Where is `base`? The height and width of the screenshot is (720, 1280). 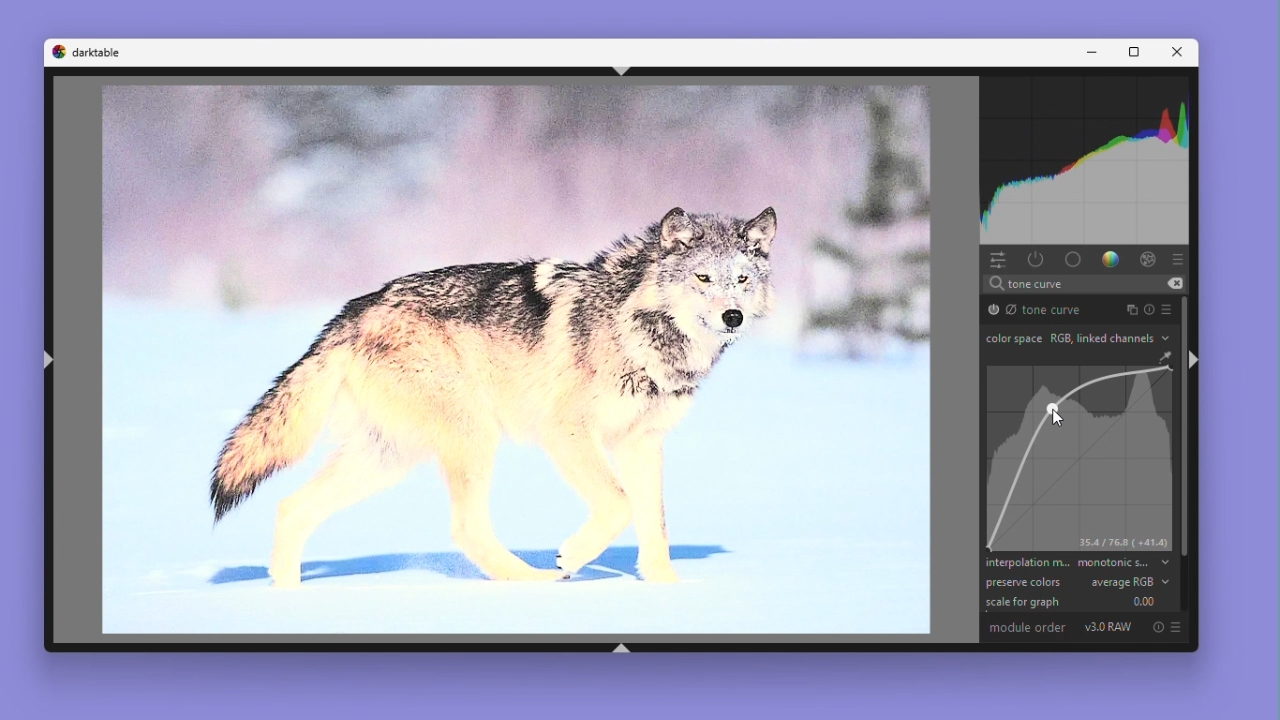 base is located at coordinates (1073, 259).